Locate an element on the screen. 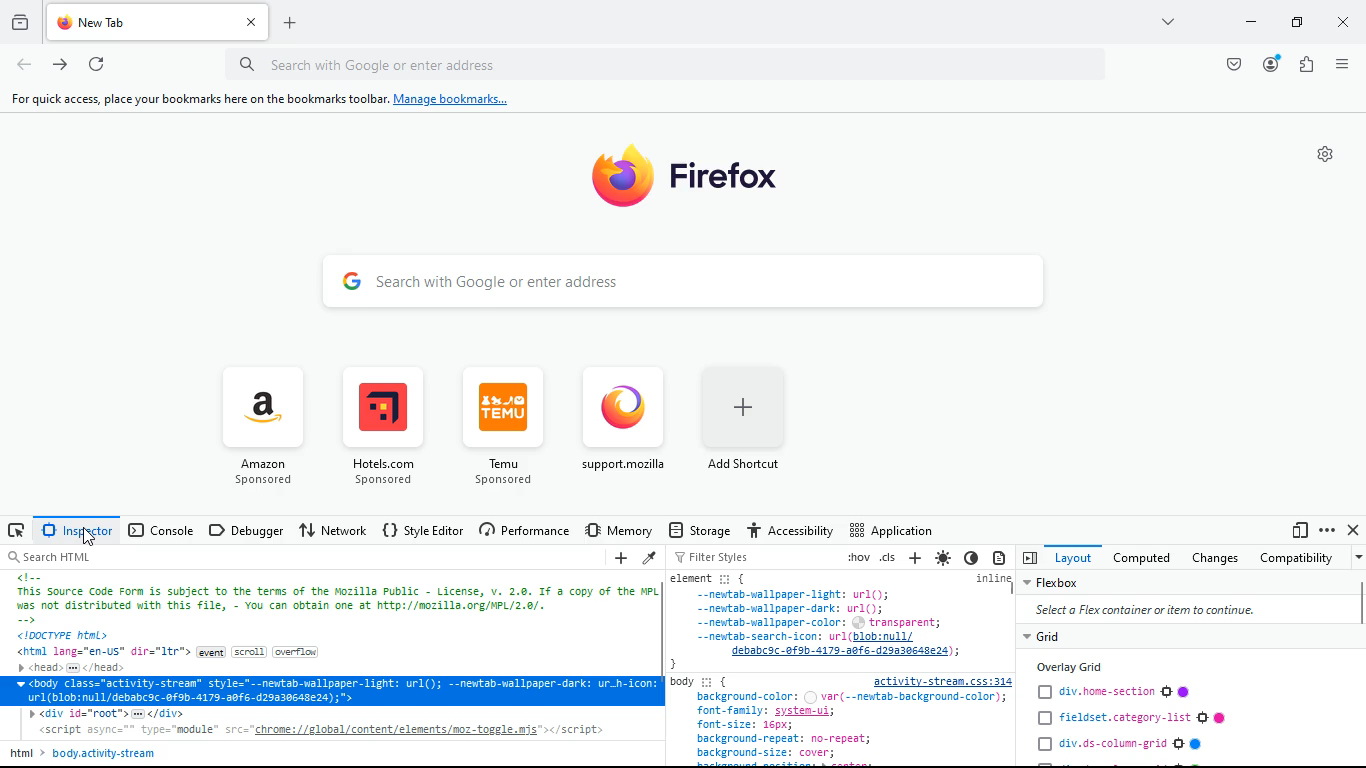 This screenshot has height=768, width=1366. cursor is located at coordinates (85, 536).